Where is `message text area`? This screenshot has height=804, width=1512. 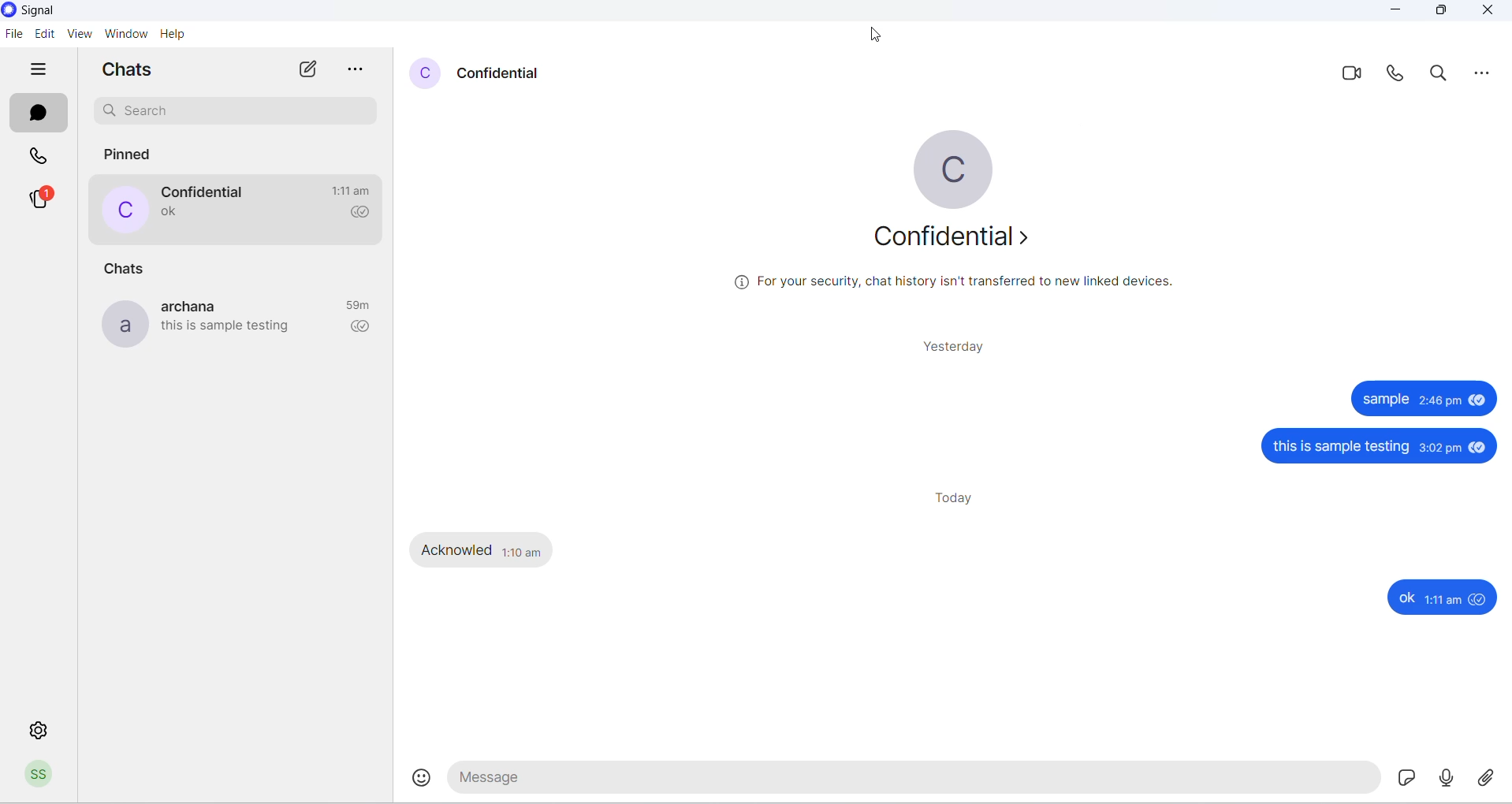
message text area is located at coordinates (915, 782).